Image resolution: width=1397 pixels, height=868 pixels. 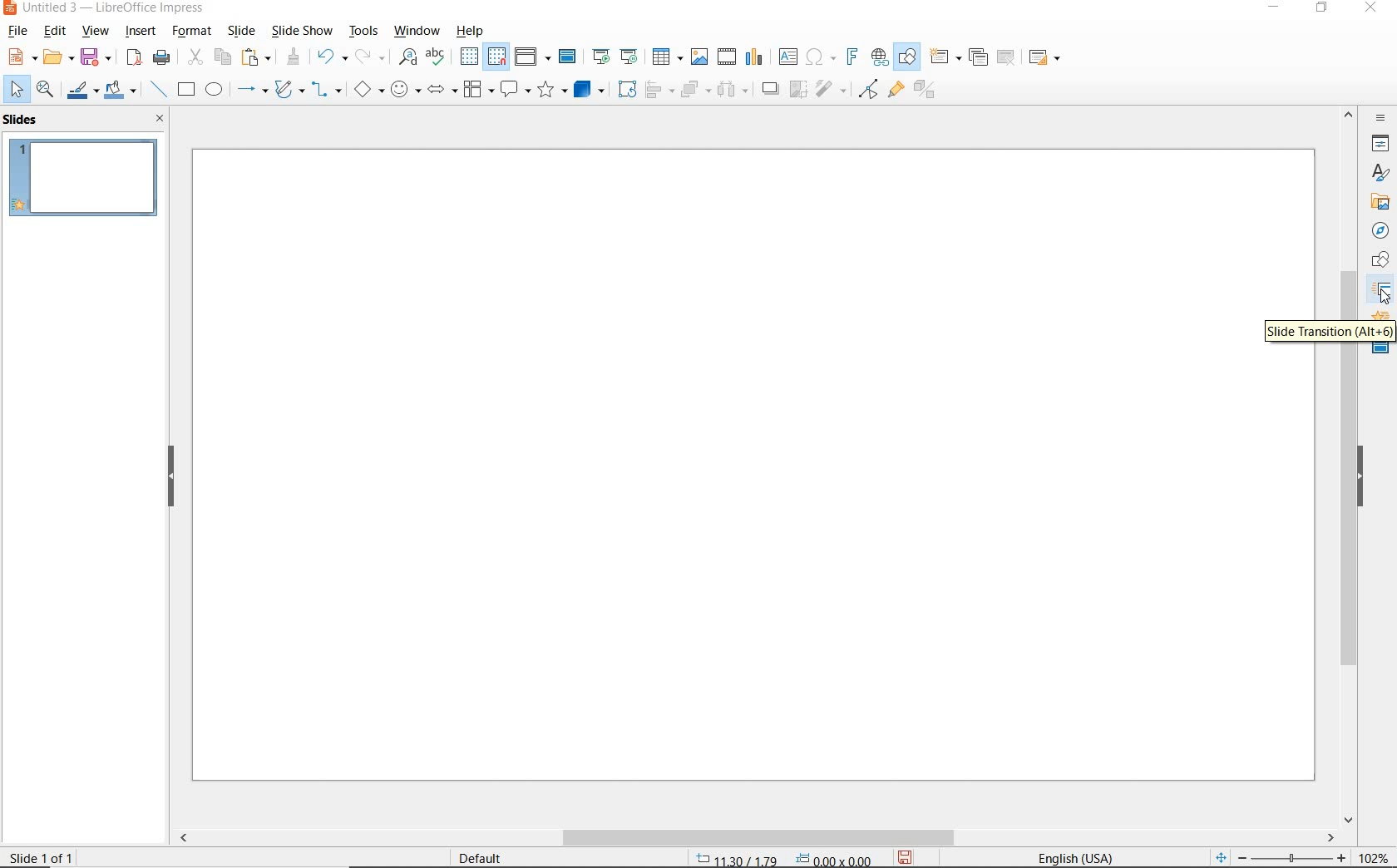 I want to click on SLIDE FROM FIRST SLIDE, so click(x=600, y=57).